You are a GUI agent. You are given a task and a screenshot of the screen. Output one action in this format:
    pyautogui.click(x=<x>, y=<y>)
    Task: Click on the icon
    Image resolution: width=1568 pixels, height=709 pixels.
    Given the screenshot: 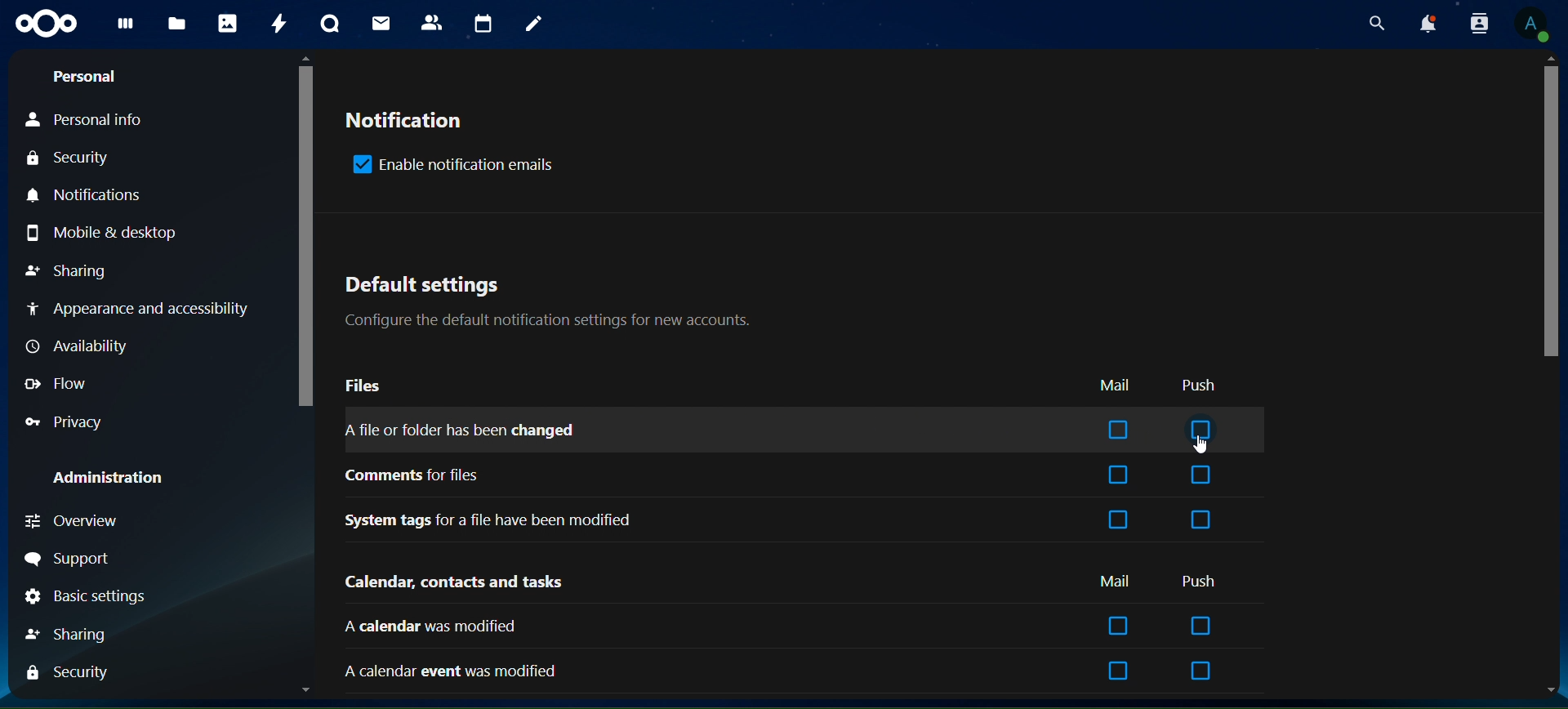 What is the action you would take?
    pyautogui.click(x=46, y=24)
    